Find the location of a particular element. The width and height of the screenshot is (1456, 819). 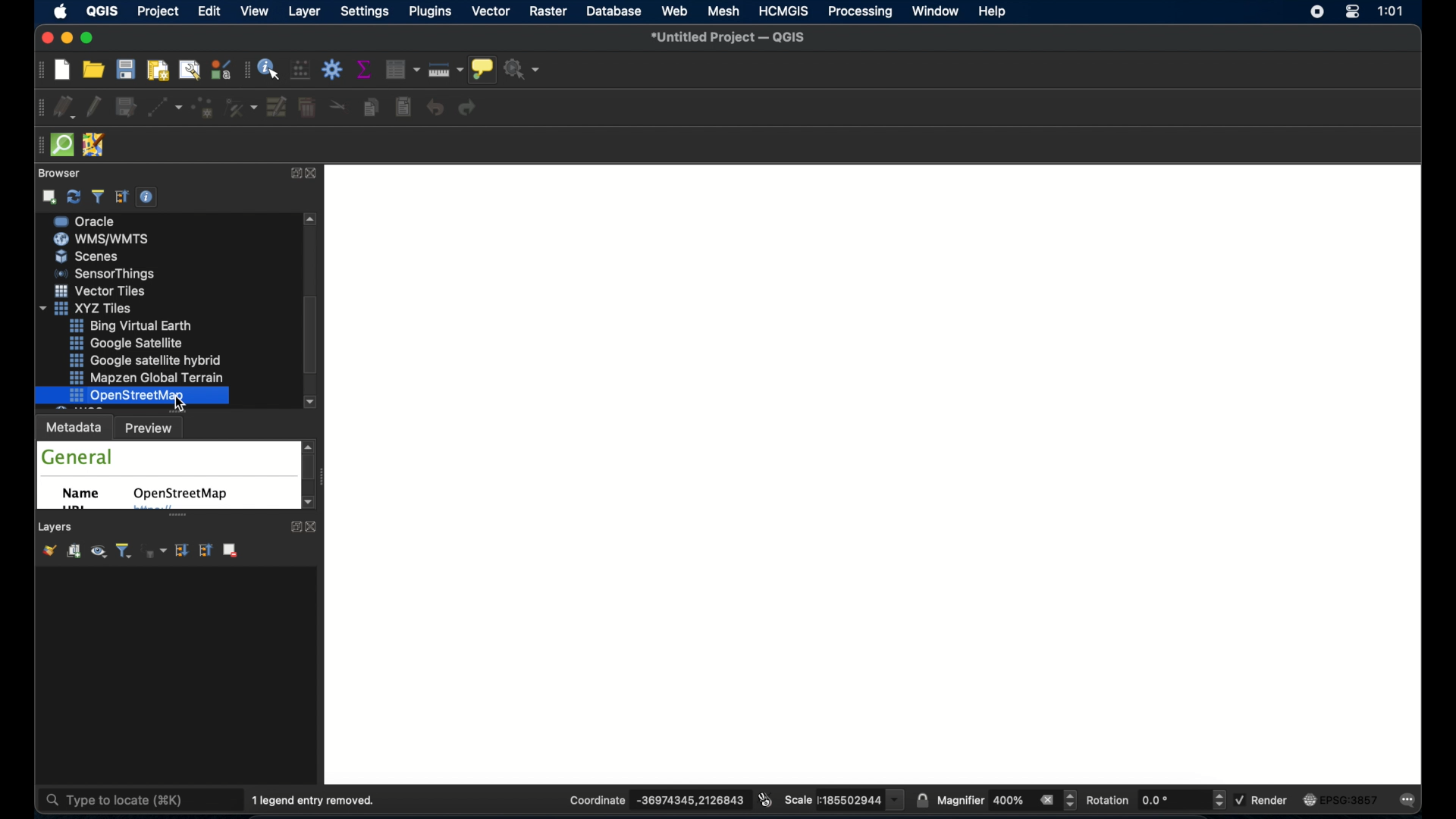

undo is located at coordinates (435, 108).